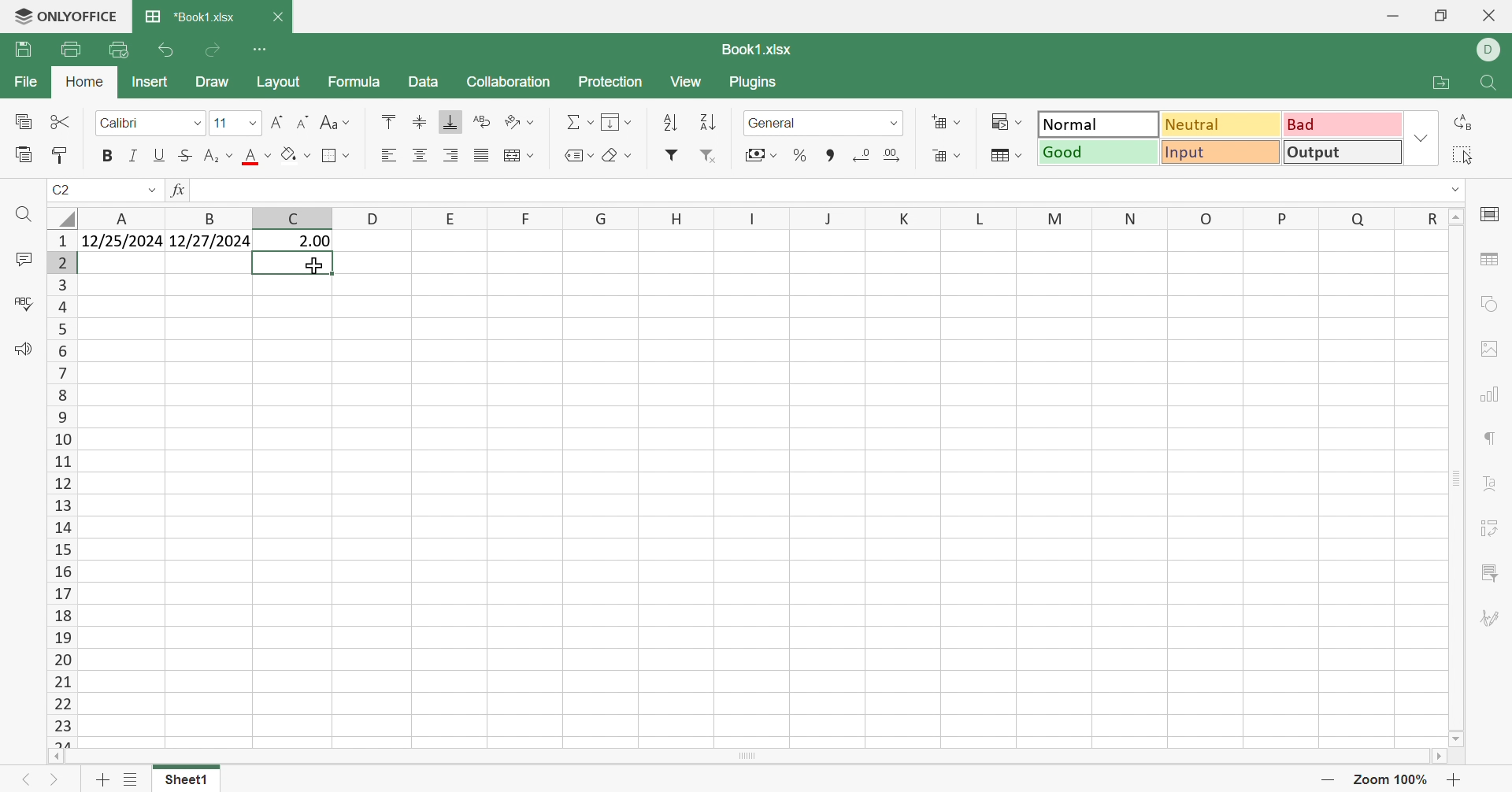  I want to click on Add sheet, so click(102, 780).